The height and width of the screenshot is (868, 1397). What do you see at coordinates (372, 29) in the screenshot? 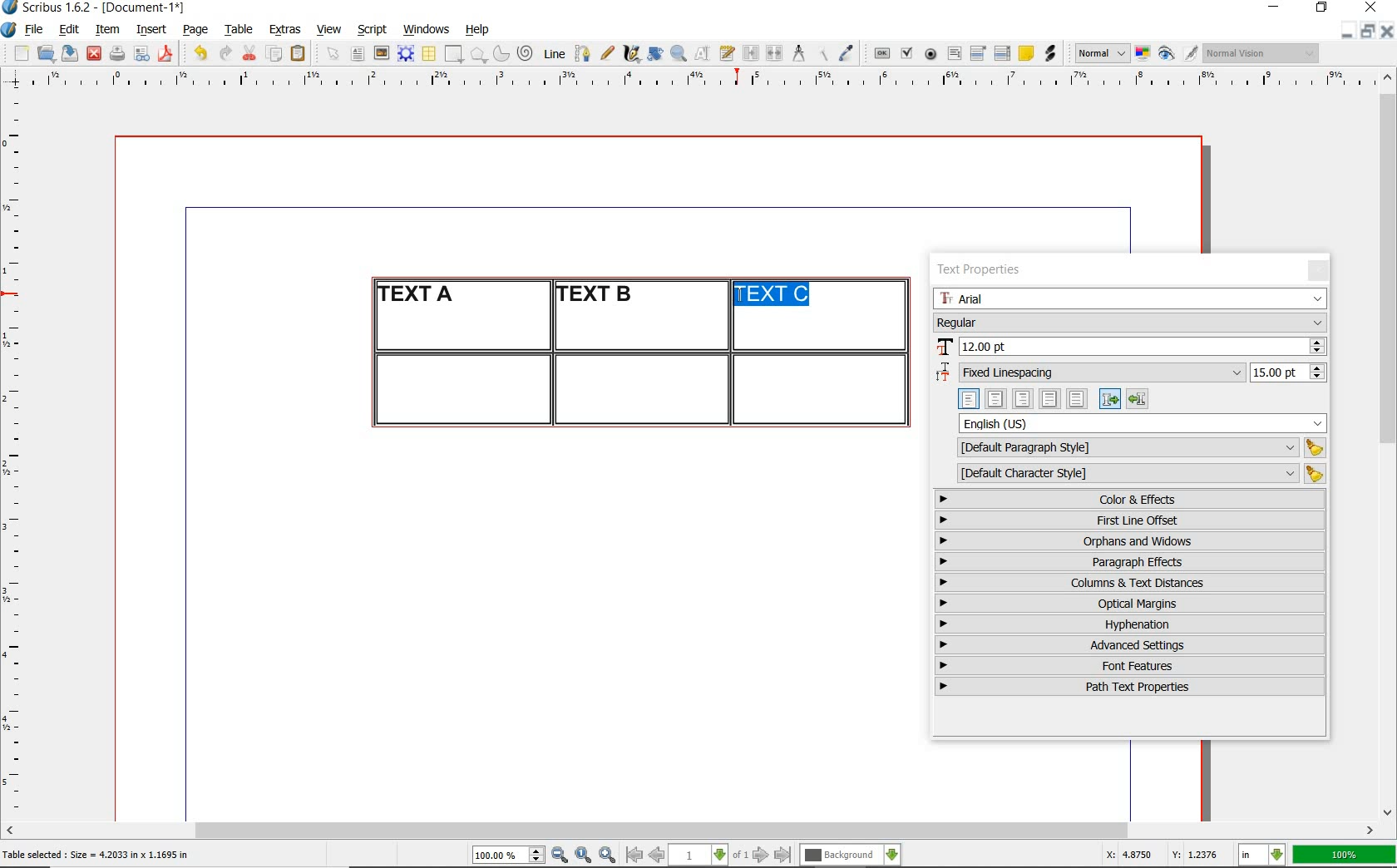
I see `script` at bounding box center [372, 29].